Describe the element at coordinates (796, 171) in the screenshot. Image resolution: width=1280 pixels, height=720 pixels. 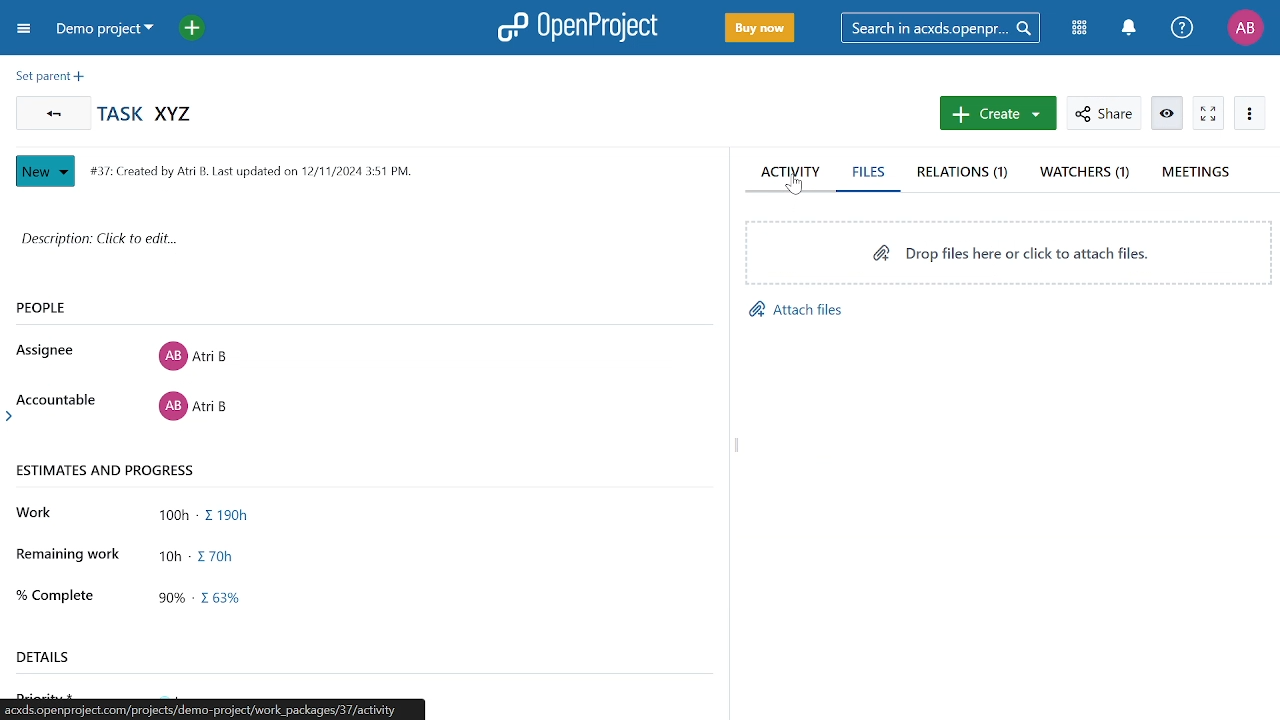
I see `Acivitty` at that location.